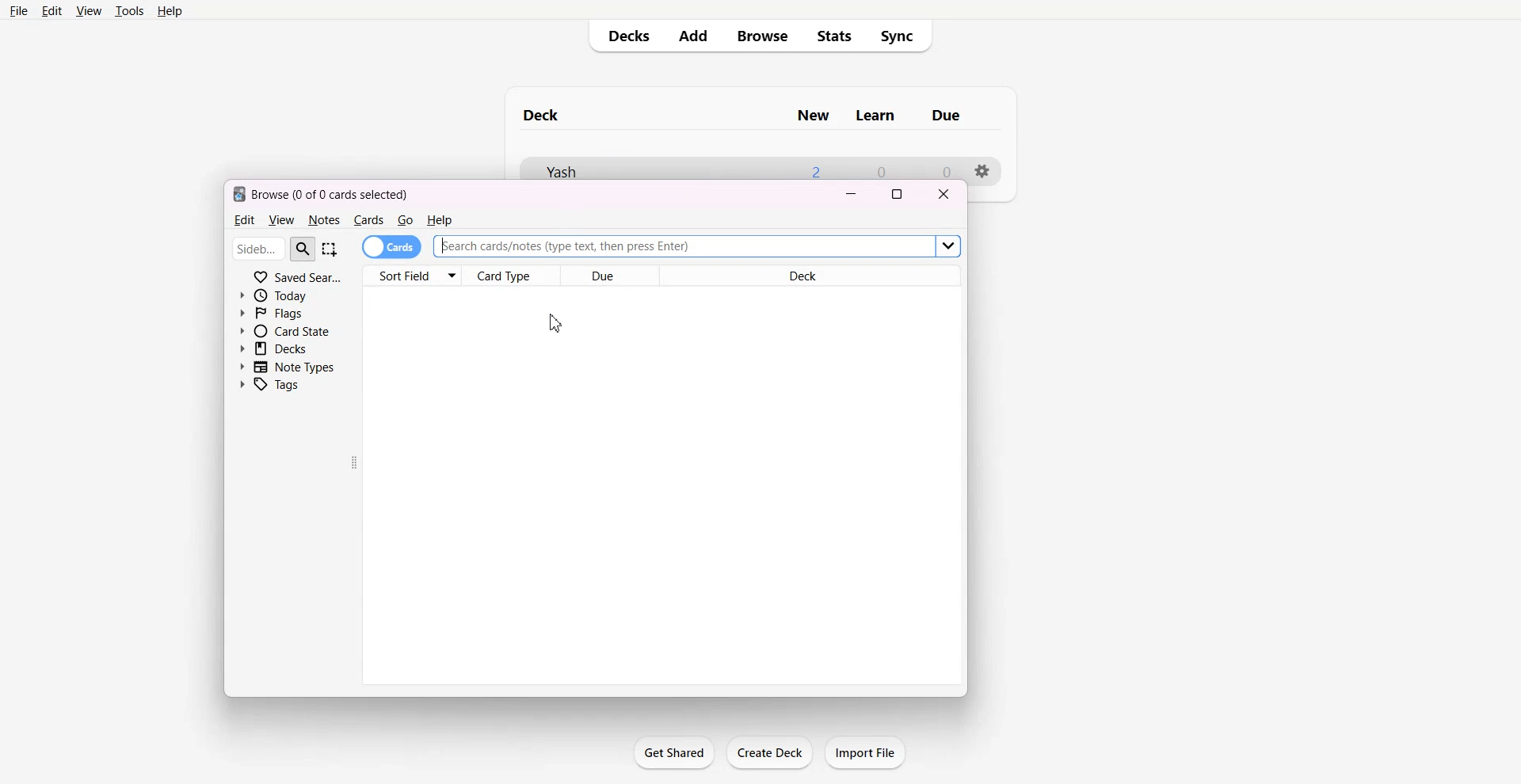  What do you see at coordinates (406, 220) in the screenshot?
I see `Go` at bounding box center [406, 220].